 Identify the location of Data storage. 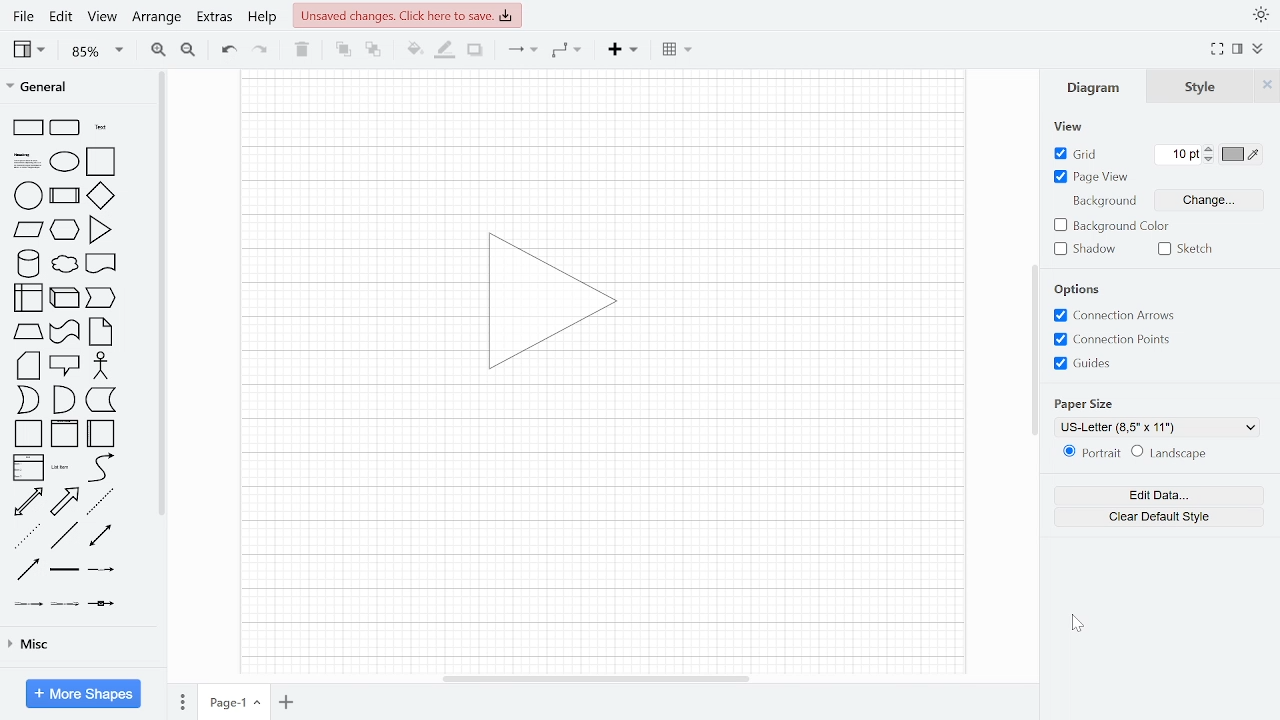
(101, 399).